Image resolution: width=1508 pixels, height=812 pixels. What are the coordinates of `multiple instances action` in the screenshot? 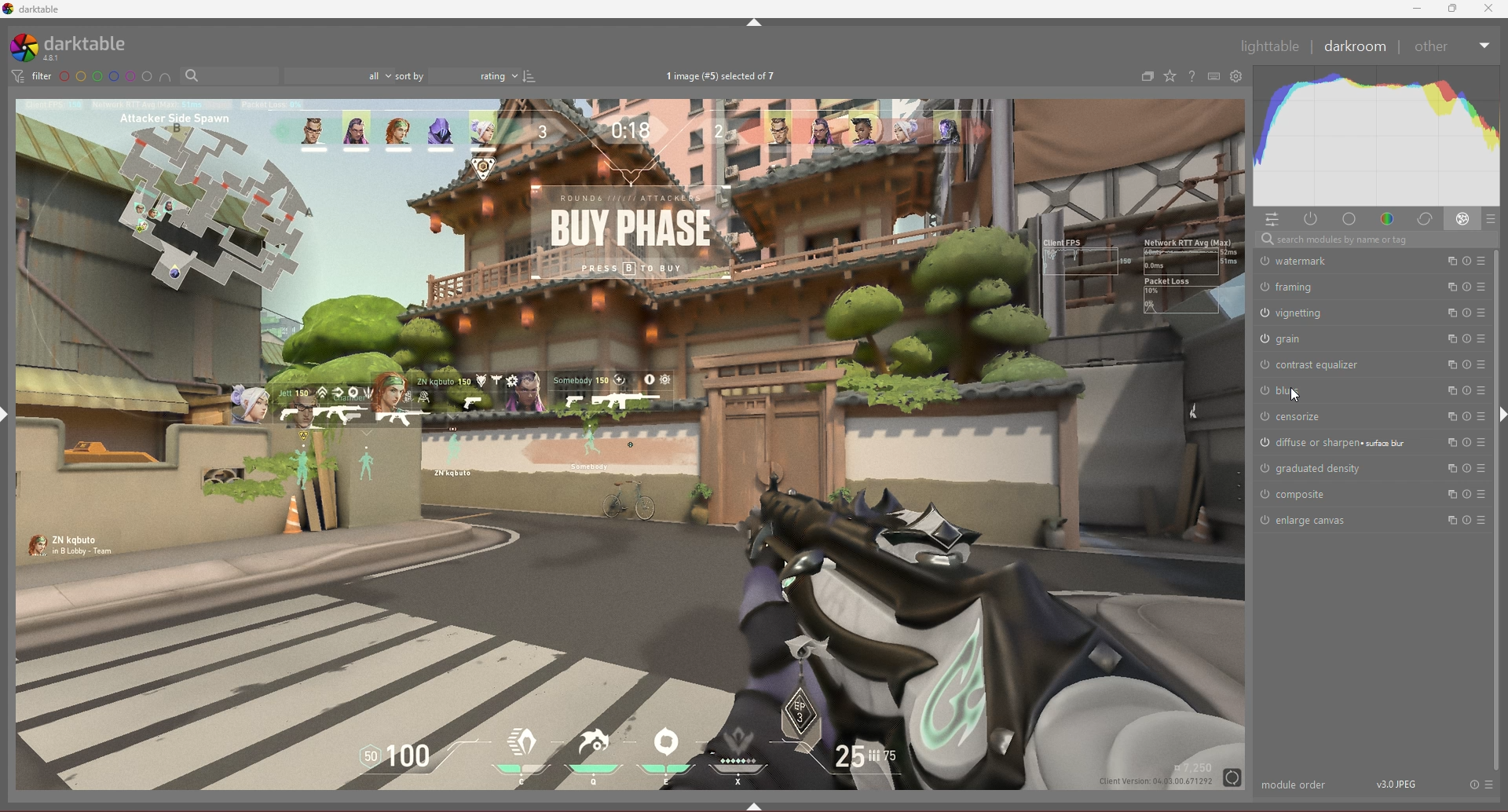 It's located at (1447, 417).